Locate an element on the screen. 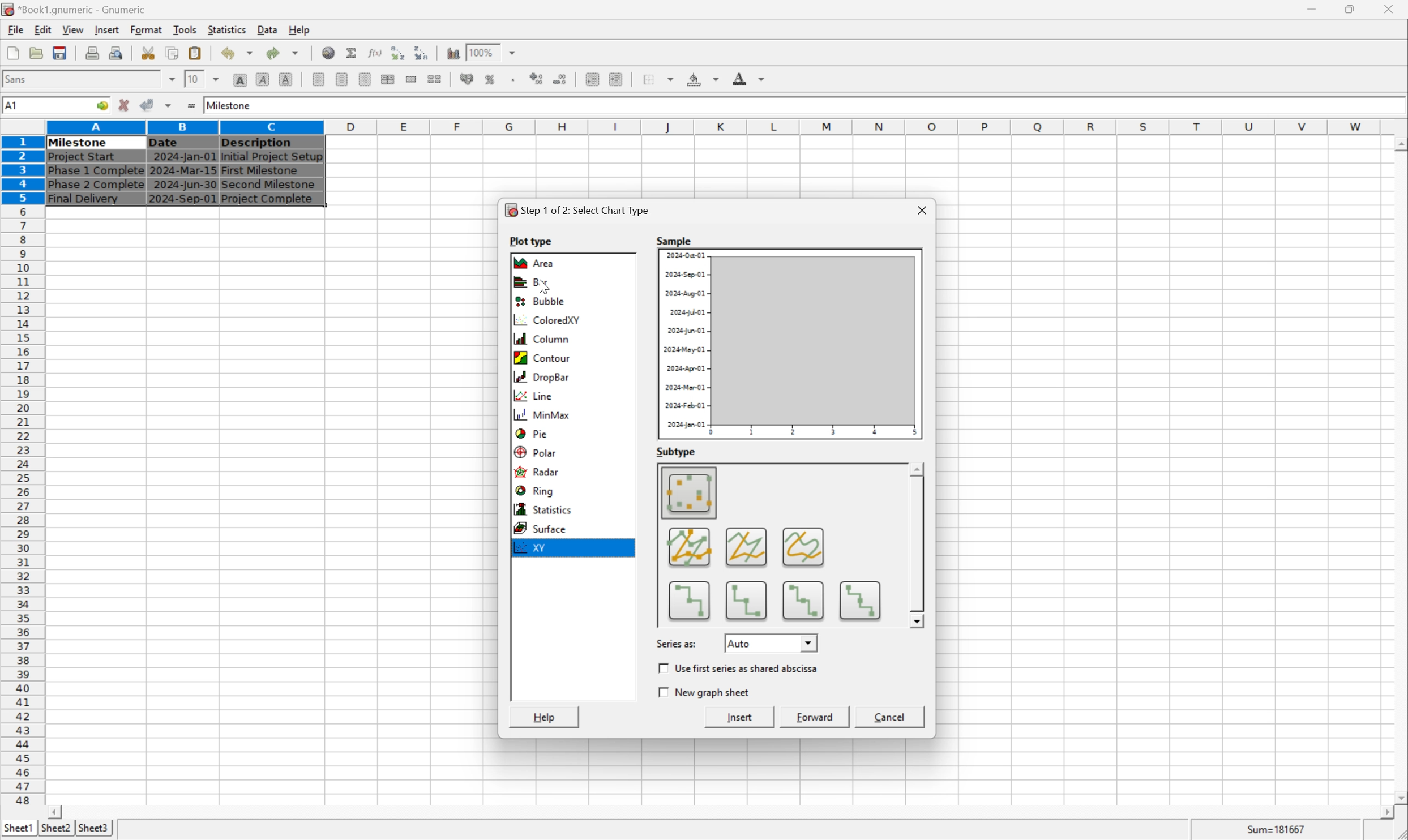  accept changes is located at coordinates (151, 104).